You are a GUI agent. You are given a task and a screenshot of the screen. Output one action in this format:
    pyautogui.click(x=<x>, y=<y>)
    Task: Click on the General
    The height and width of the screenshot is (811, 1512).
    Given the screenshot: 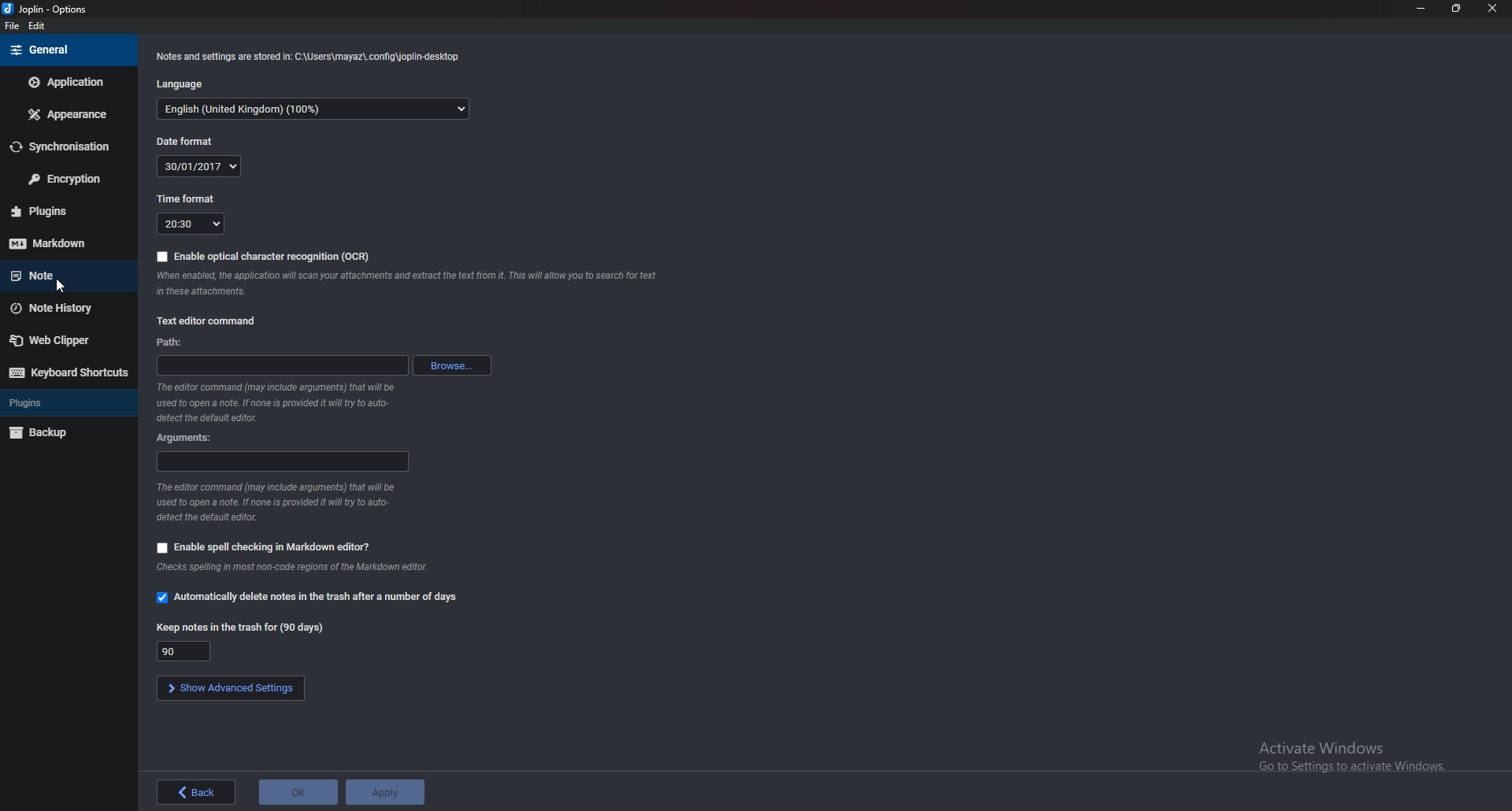 What is the action you would take?
    pyautogui.click(x=63, y=50)
    